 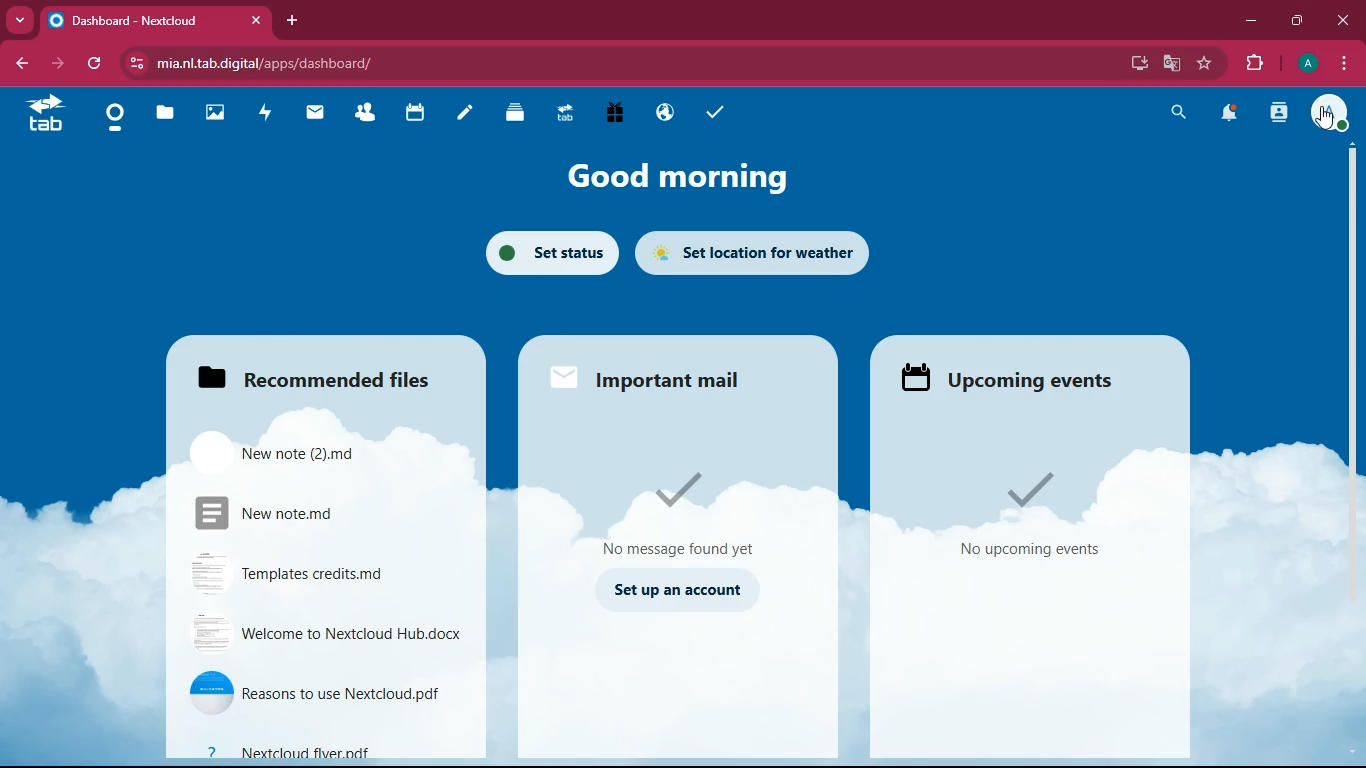 What do you see at coordinates (134, 64) in the screenshot?
I see `view site information` at bounding box center [134, 64].